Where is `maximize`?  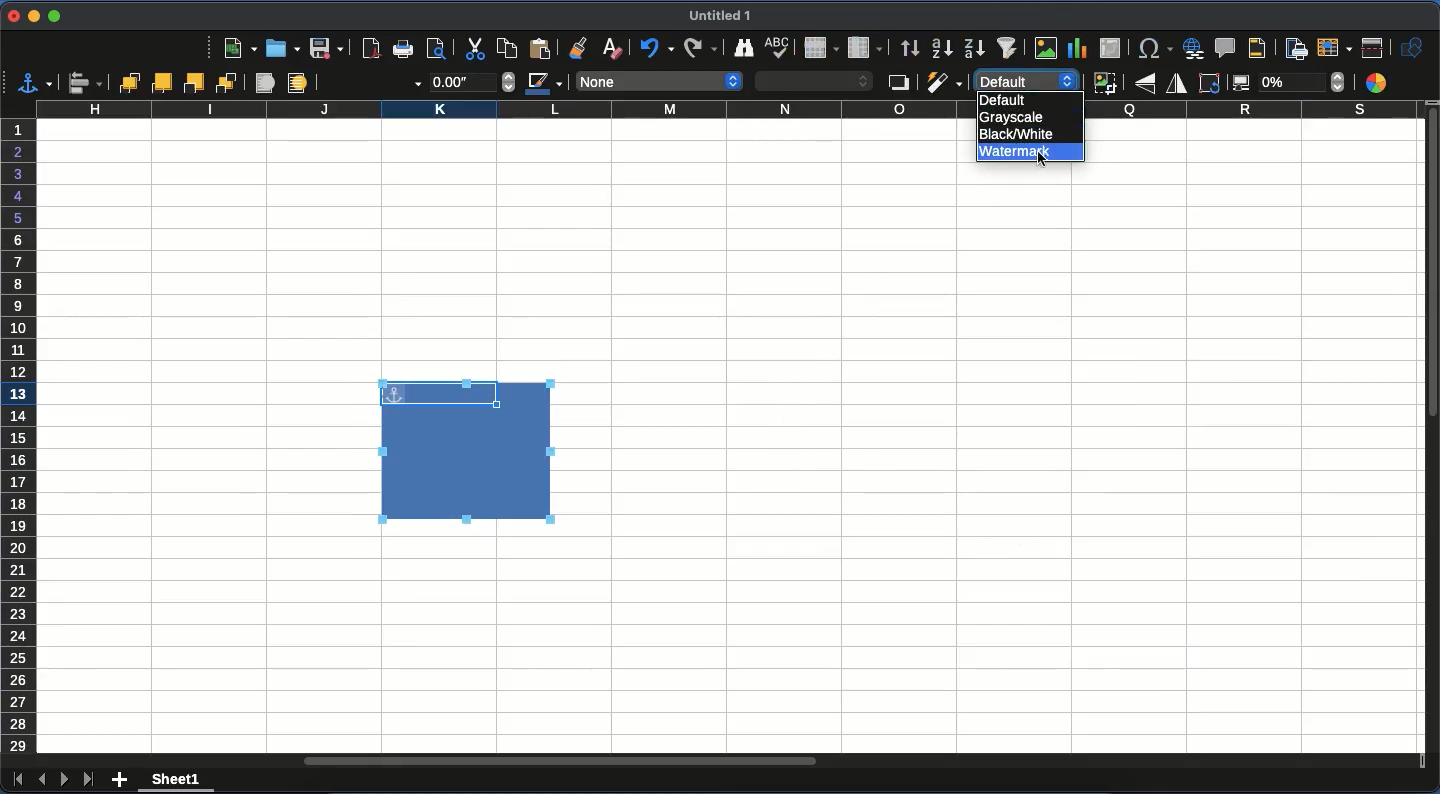 maximize is located at coordinates (52, 17).